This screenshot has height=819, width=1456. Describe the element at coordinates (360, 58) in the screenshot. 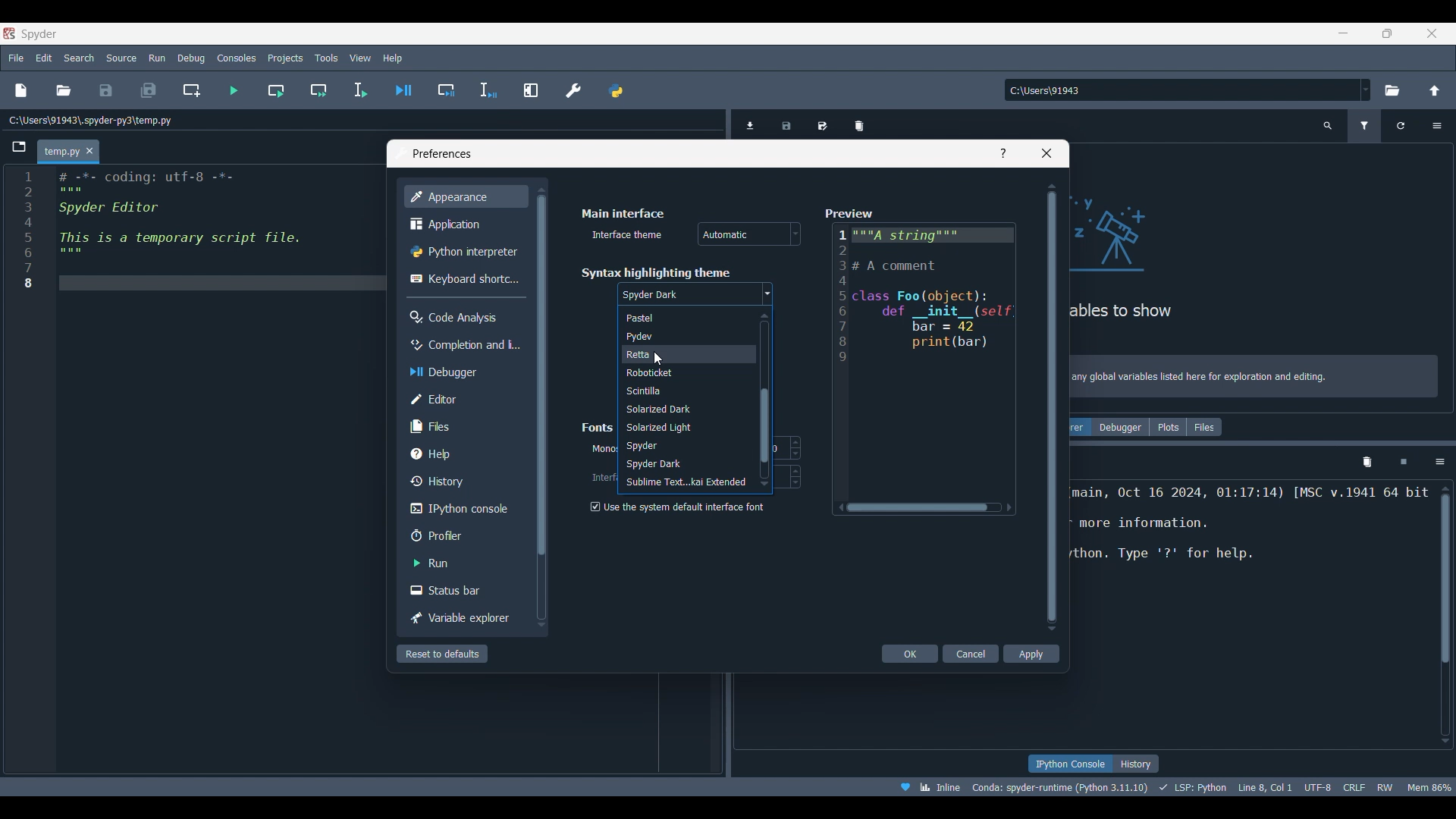

I see `View menu` at that location.